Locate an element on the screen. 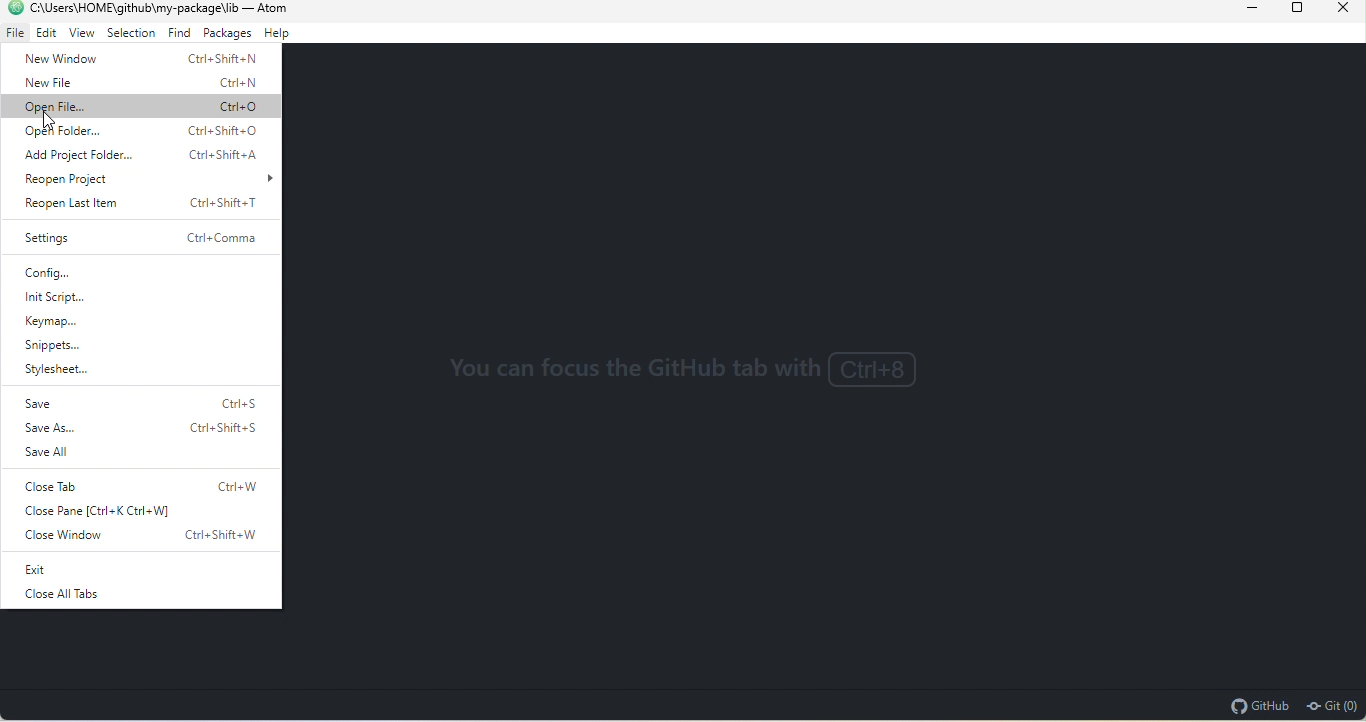 Image resolution: width=1366 pixels, height=722 pixels. open file is located at coordinates (144, 106).